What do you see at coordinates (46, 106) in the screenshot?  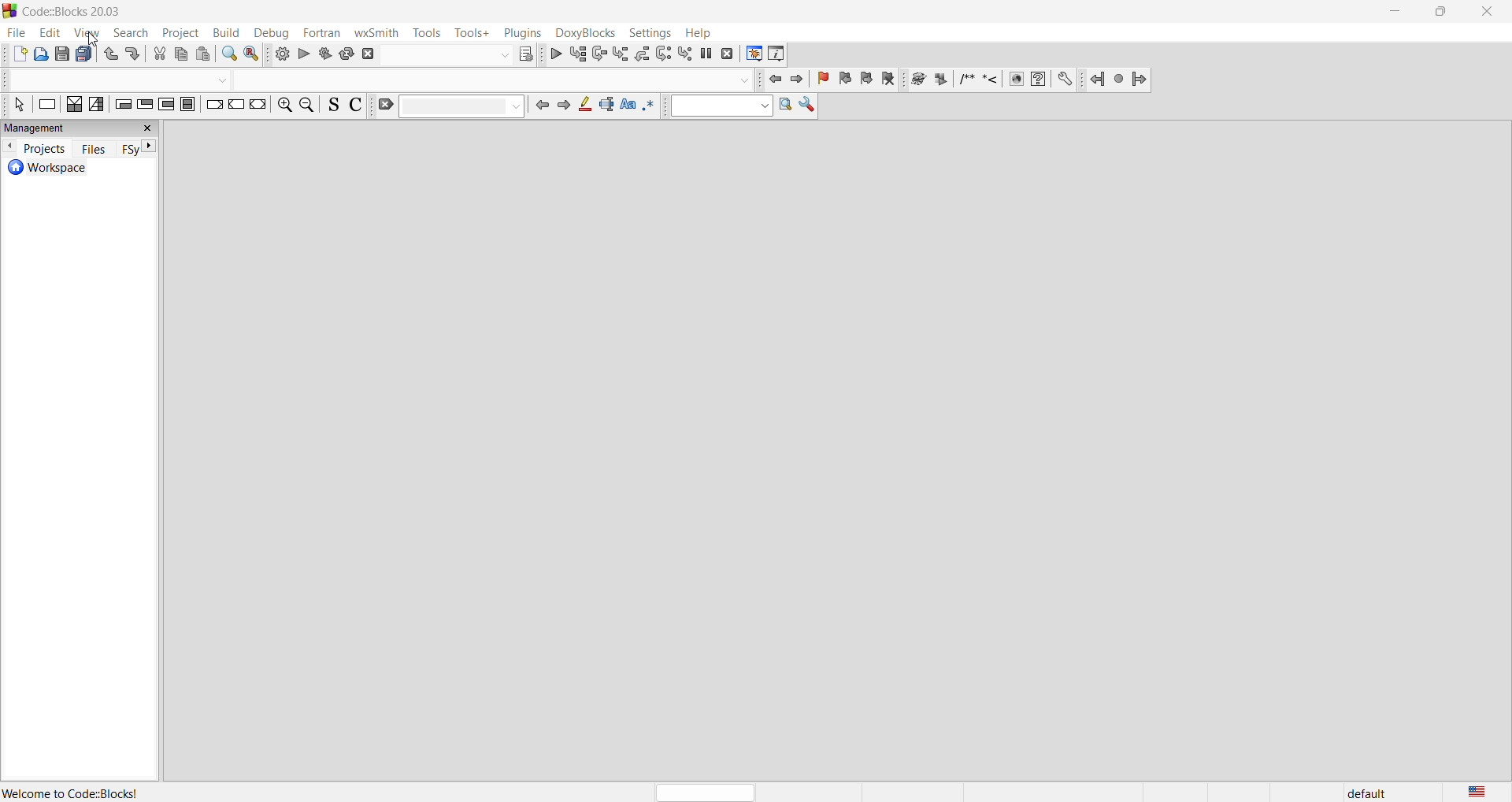 I see `instruction` at bounding box center [46, 106].